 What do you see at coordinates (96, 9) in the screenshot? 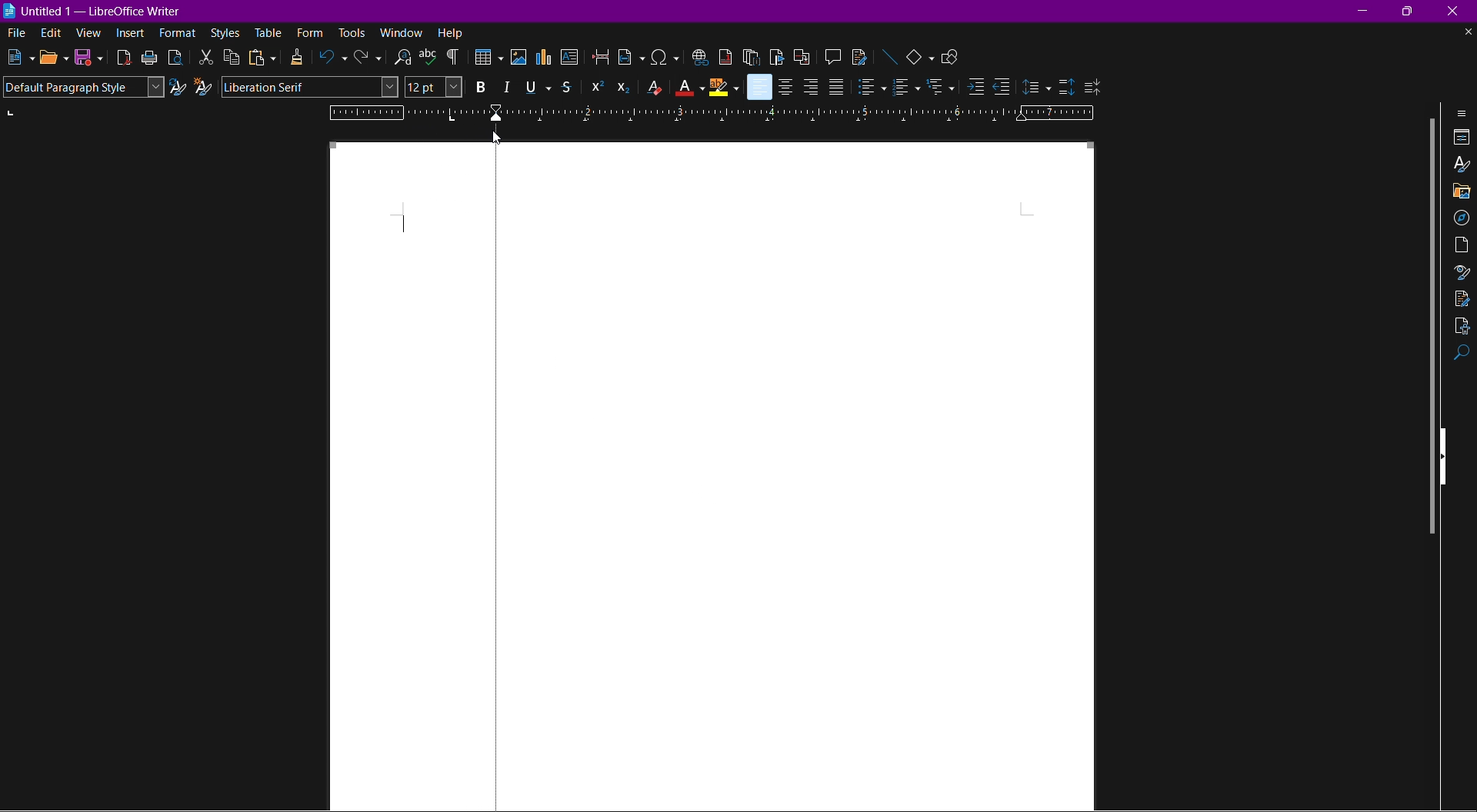
I see `Untitled 1 — LibreOffice Writer` at bounding box center [96, 9].